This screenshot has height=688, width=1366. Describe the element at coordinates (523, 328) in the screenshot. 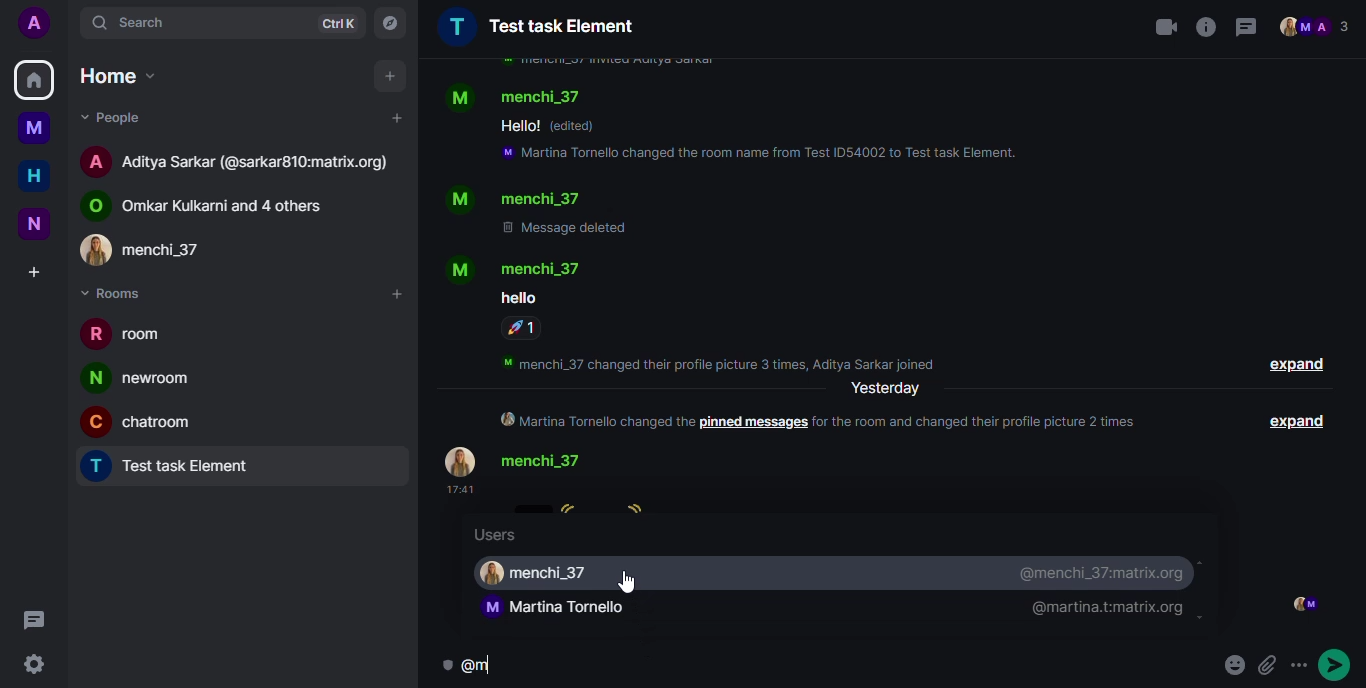

I see `reaction` at that location.